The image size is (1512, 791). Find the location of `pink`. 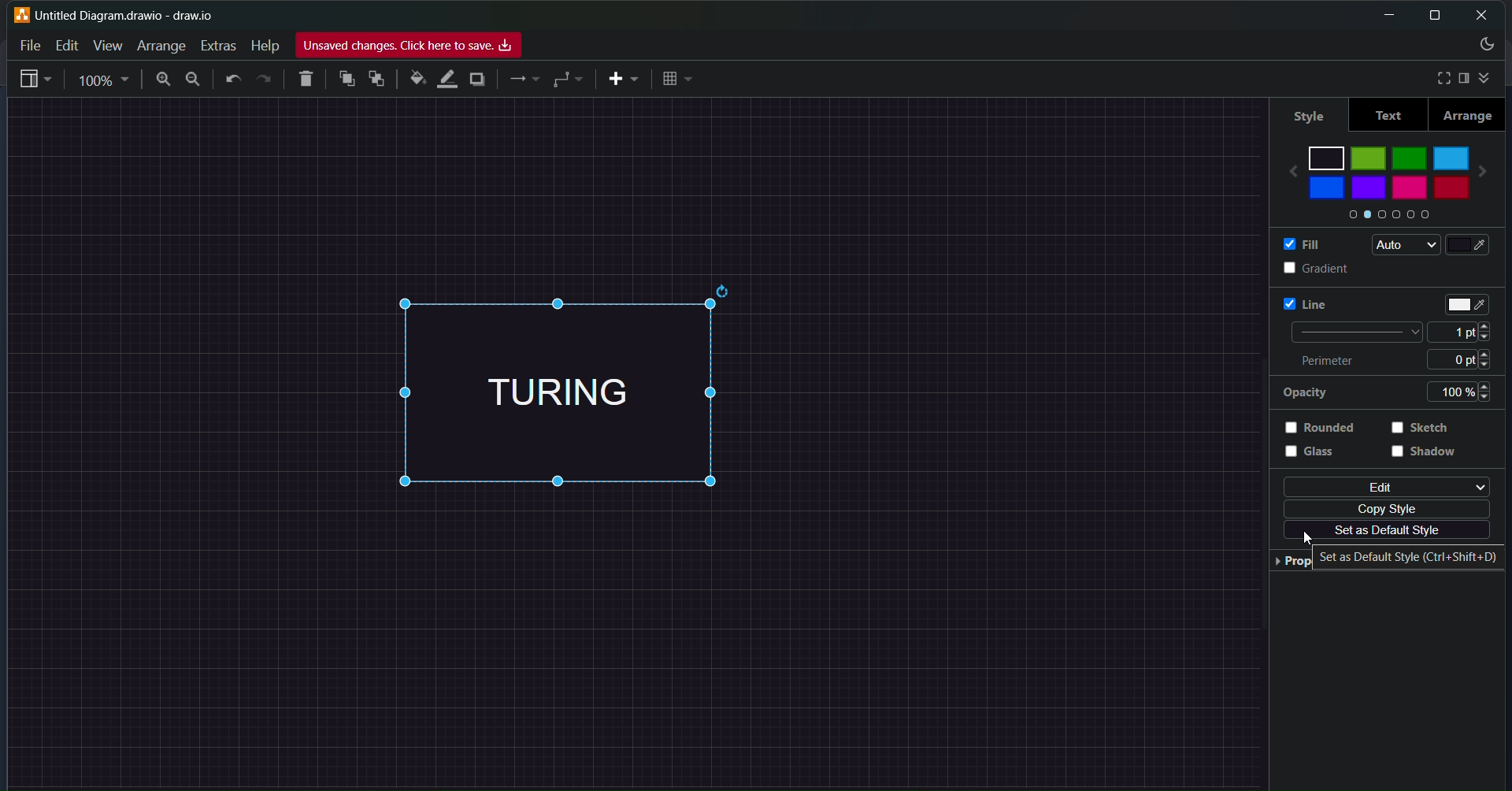

pink is located at coordinates (1409, 192).